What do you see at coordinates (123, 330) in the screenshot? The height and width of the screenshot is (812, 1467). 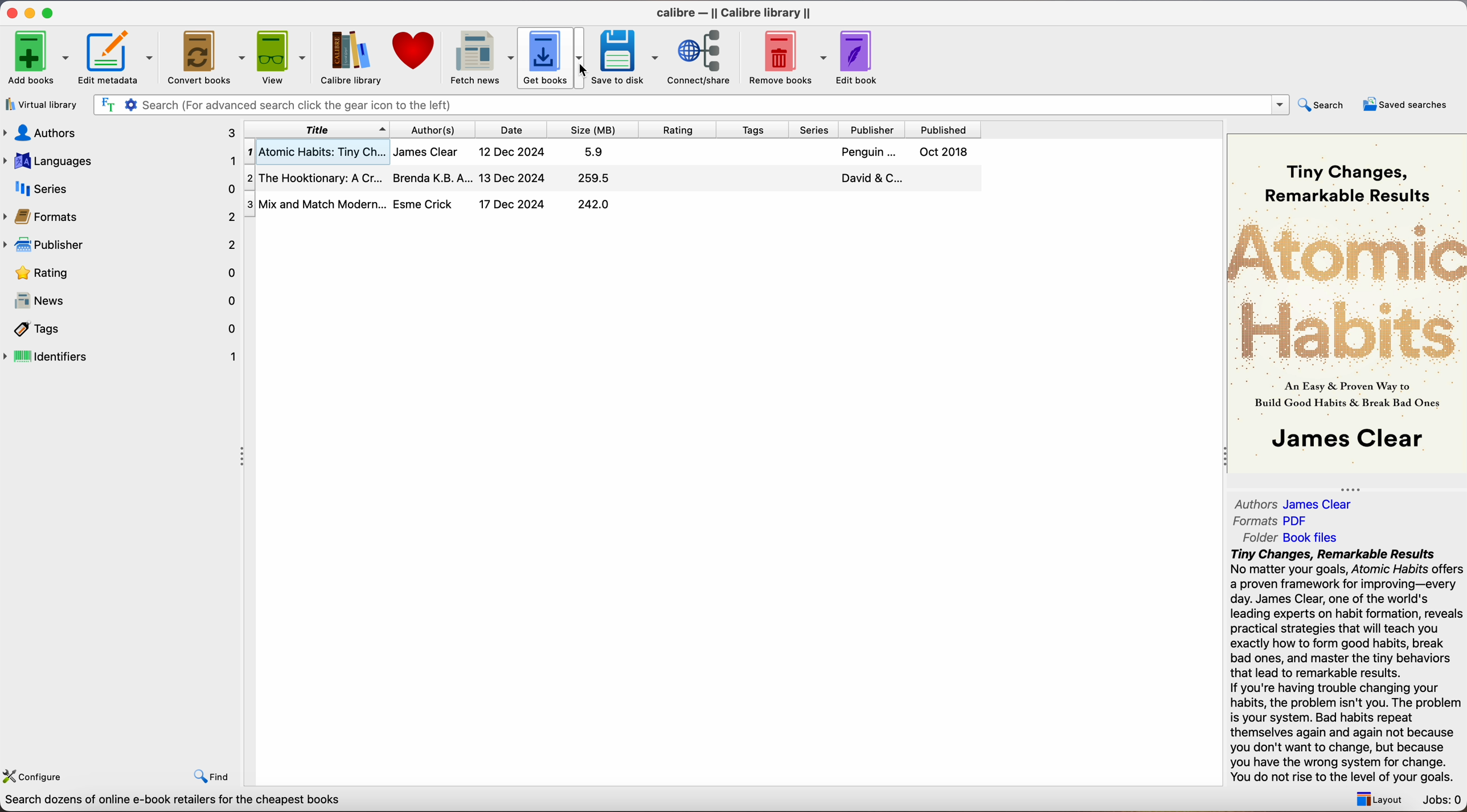 I see `tags` at bounding box center [123, 330].